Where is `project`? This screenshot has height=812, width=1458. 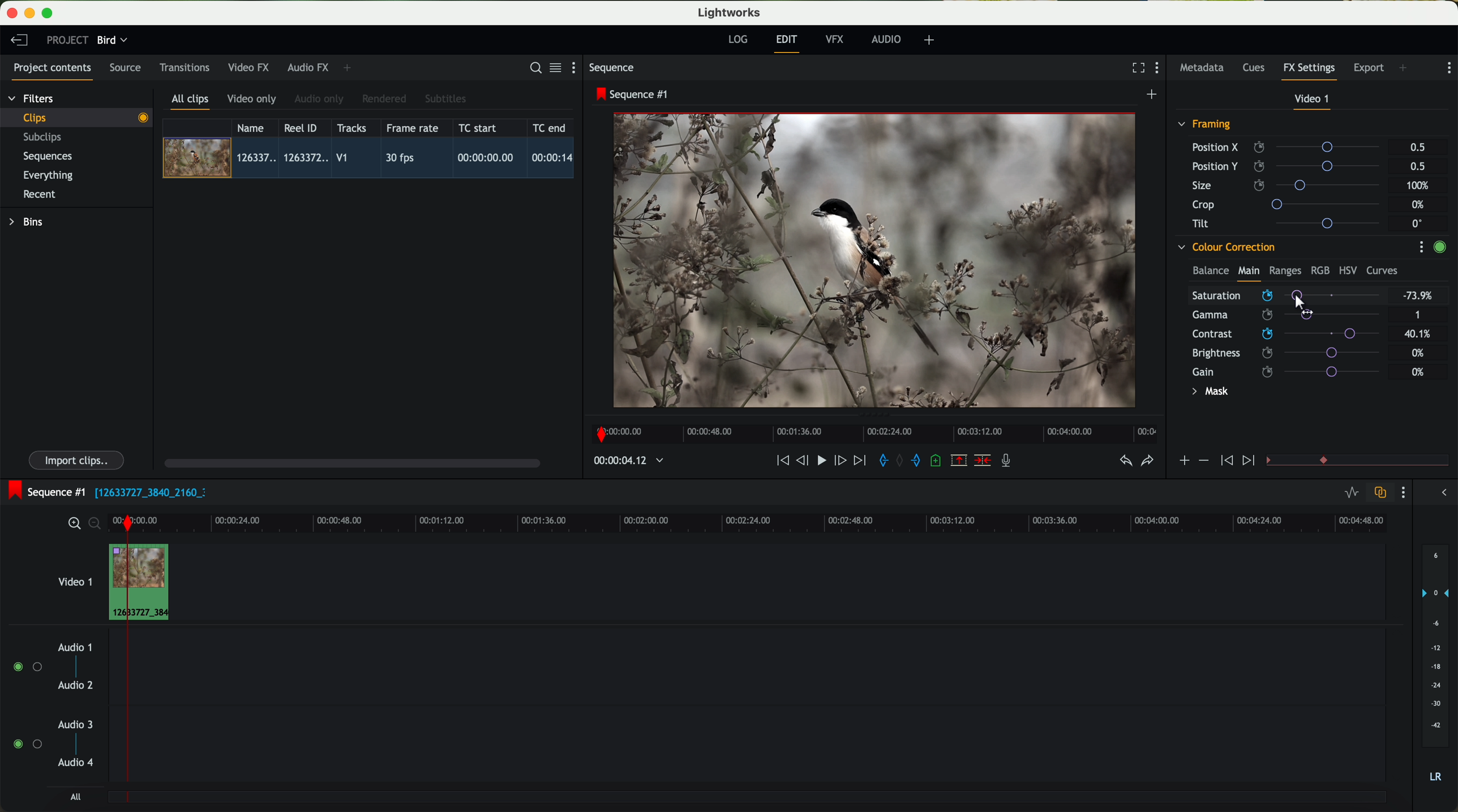 project is located at coordinates (67, 40).